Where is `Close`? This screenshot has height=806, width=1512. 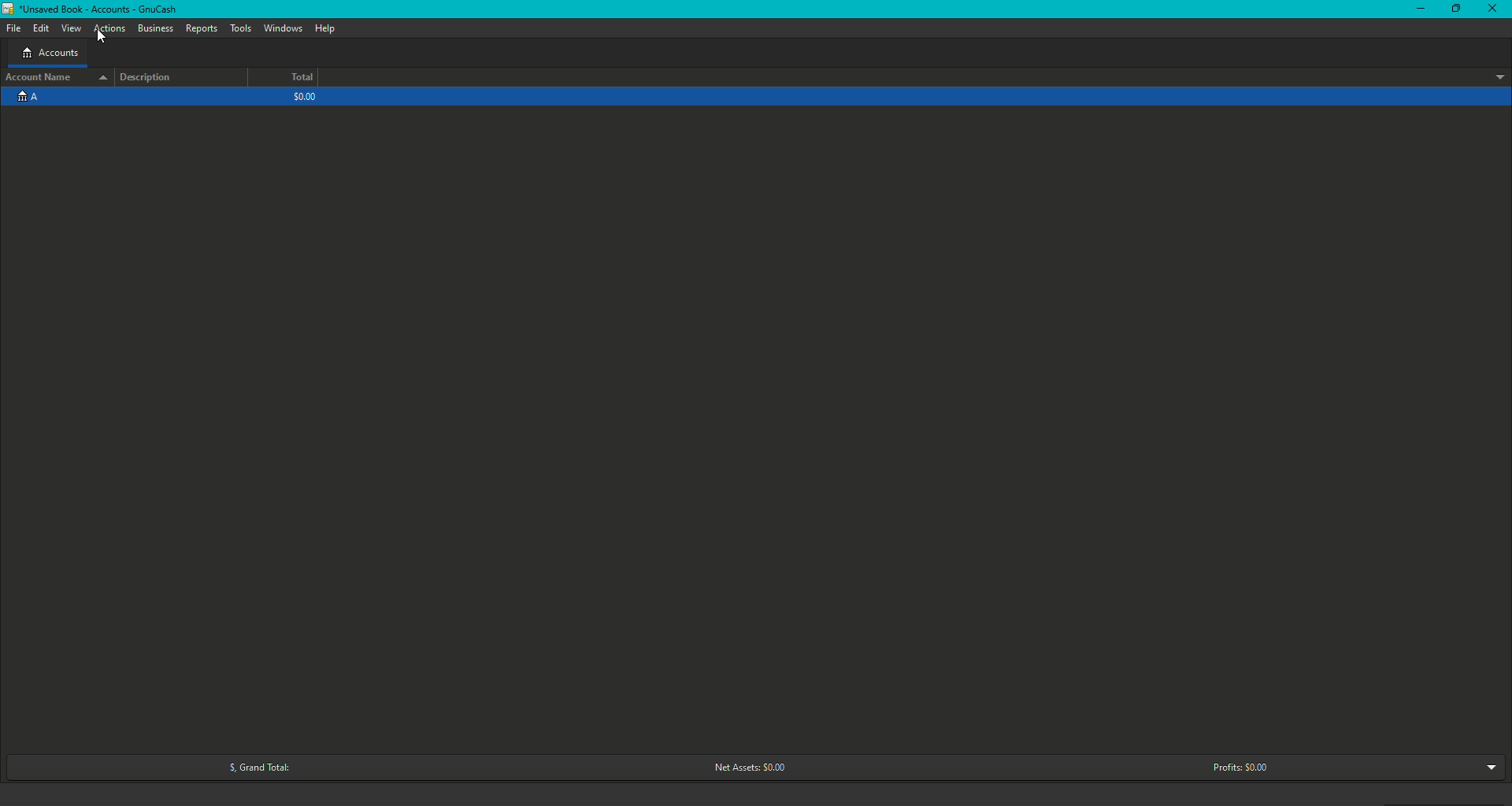 Close is located at coordinates (1495, 9).